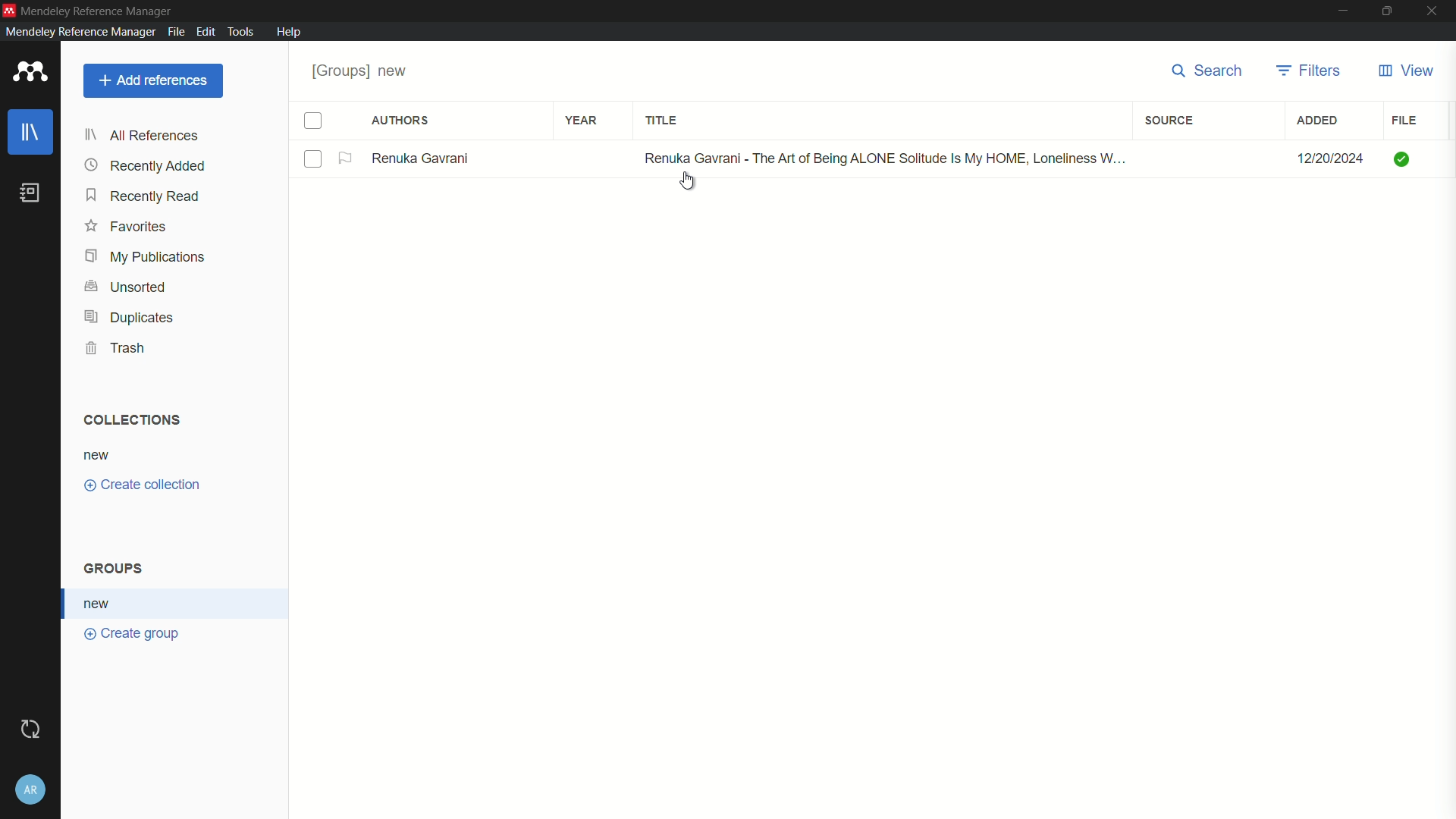  I want to click on groups, so click(361, 73).